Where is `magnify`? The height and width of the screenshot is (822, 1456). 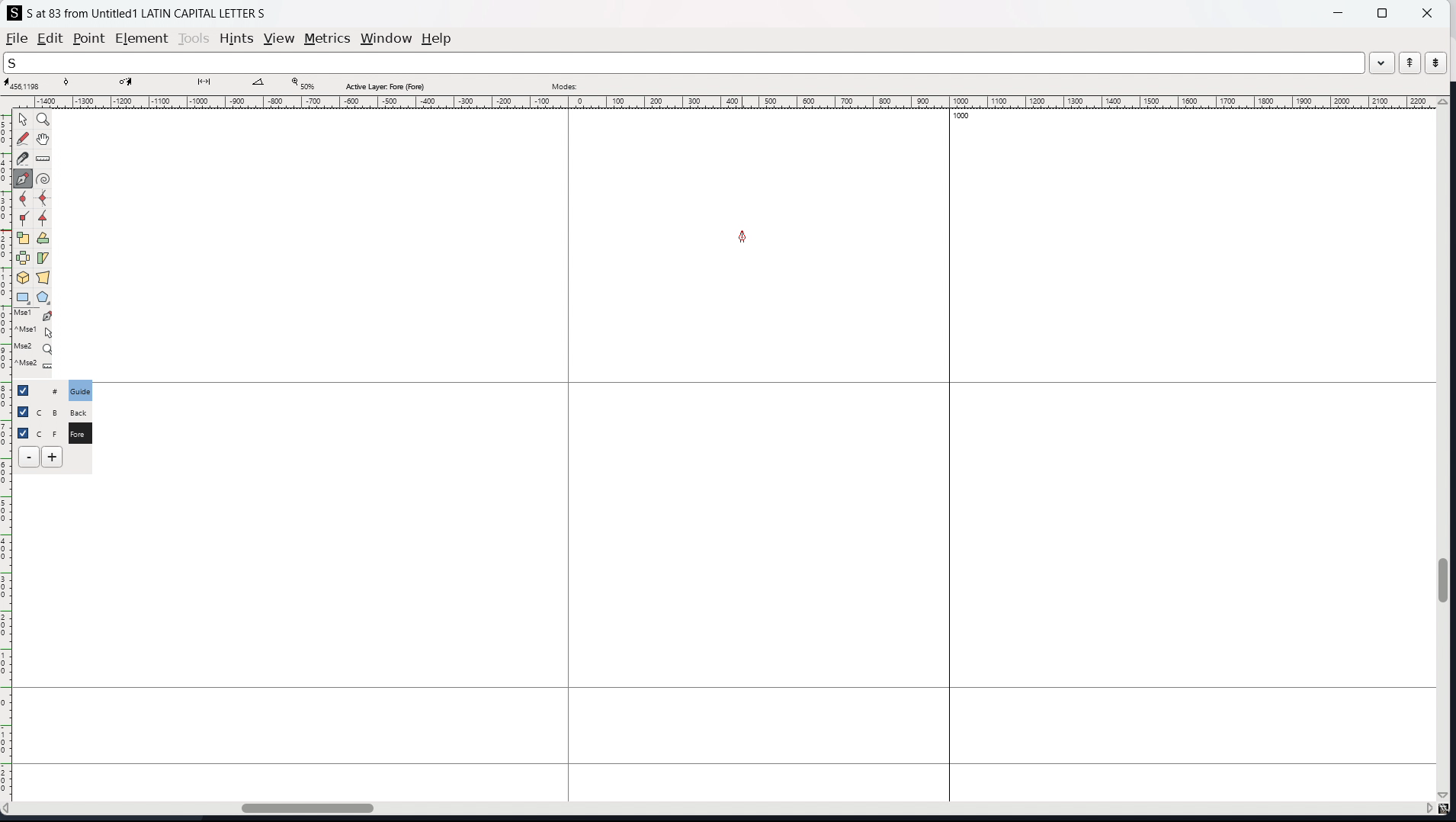 magnify is located at coordinates (44, 120).